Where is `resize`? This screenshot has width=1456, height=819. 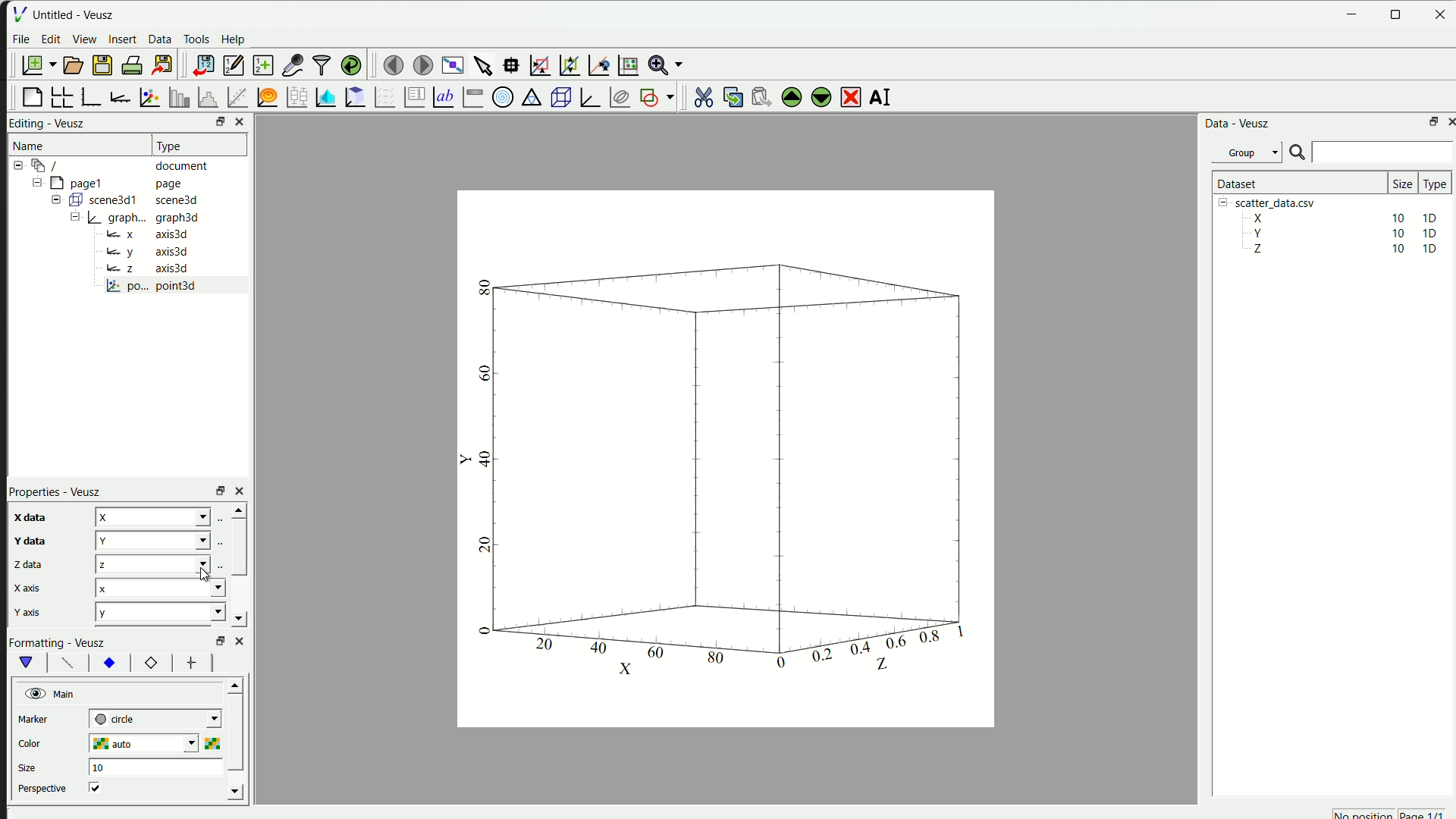
resize is located at coordinates (215, 123).